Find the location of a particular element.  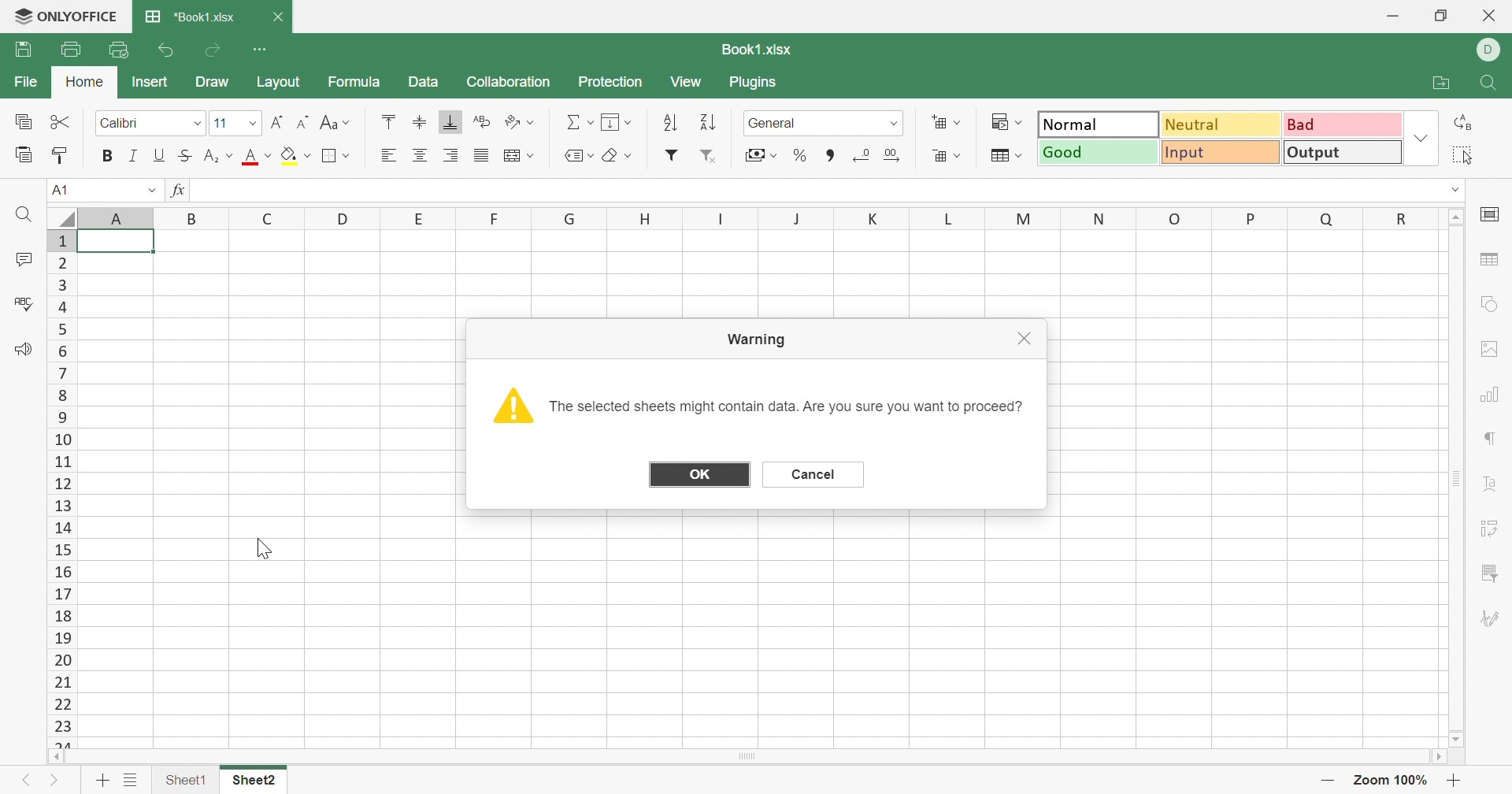

Align Middle is located at coordinates (421, 120).